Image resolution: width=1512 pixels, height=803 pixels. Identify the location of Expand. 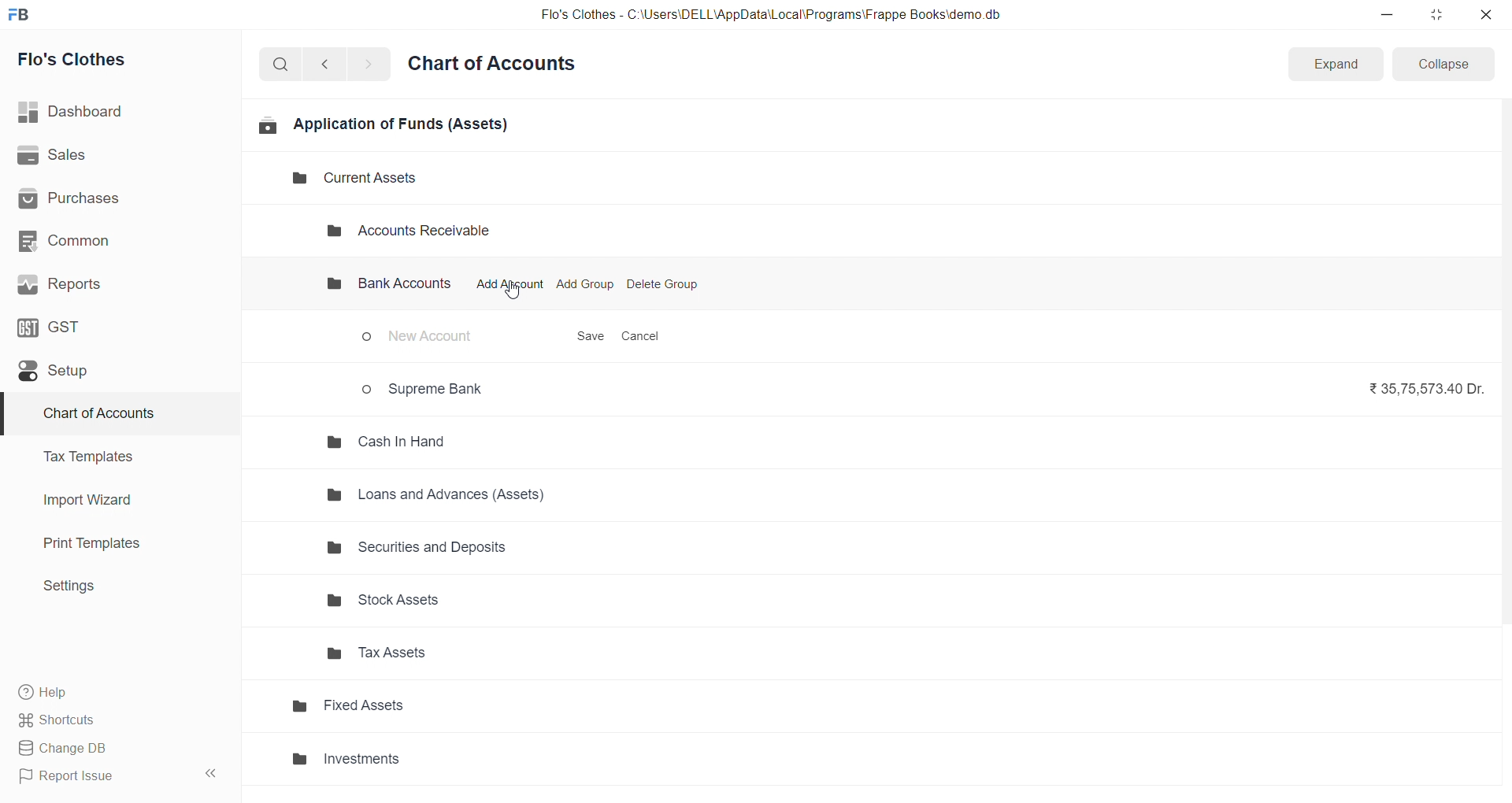
(1334, 65).